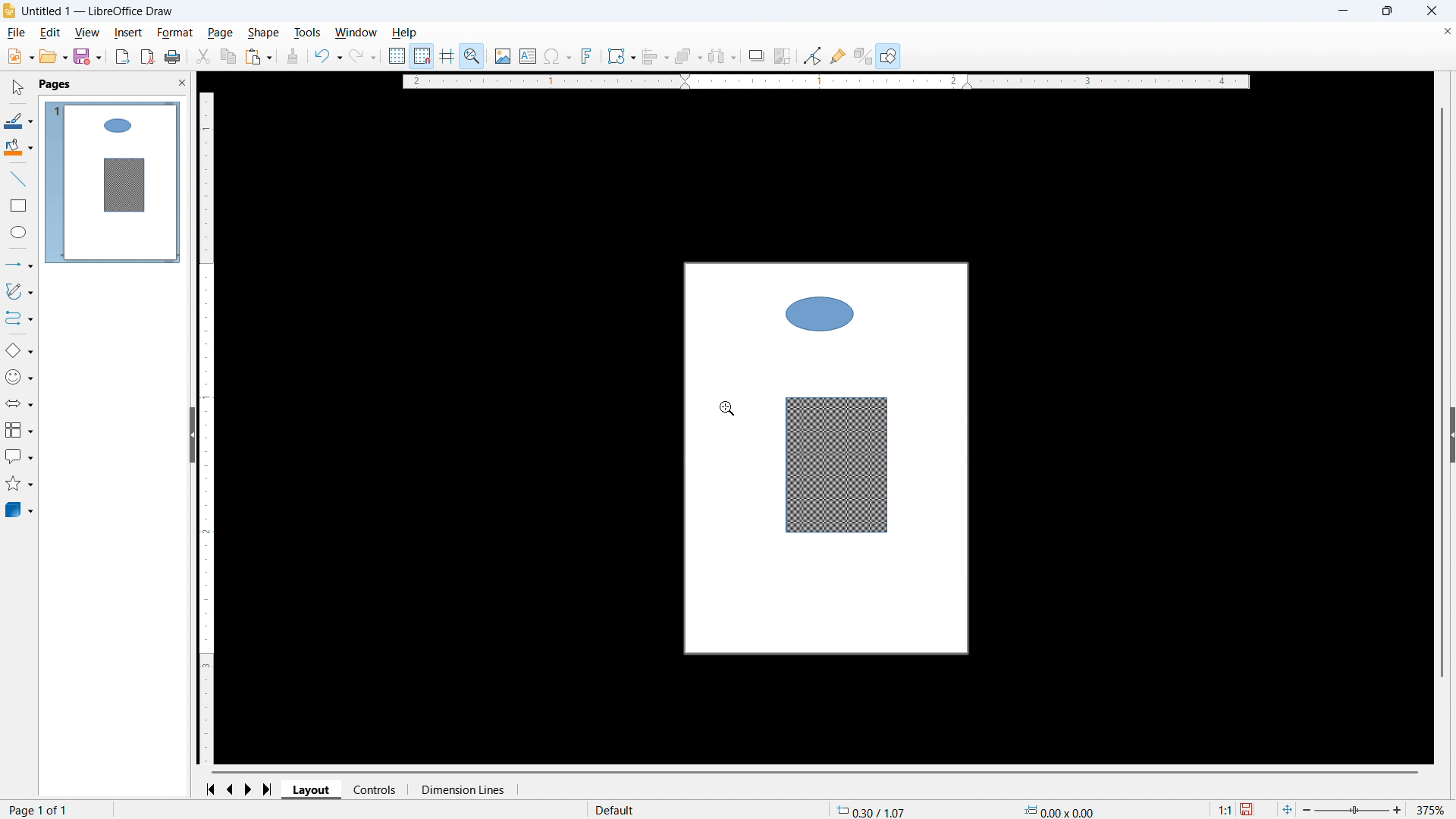 The image size is (1456, 819). Describe the element at coordinates (113, 182) in the screenshot. I see `Page display ` at that location.